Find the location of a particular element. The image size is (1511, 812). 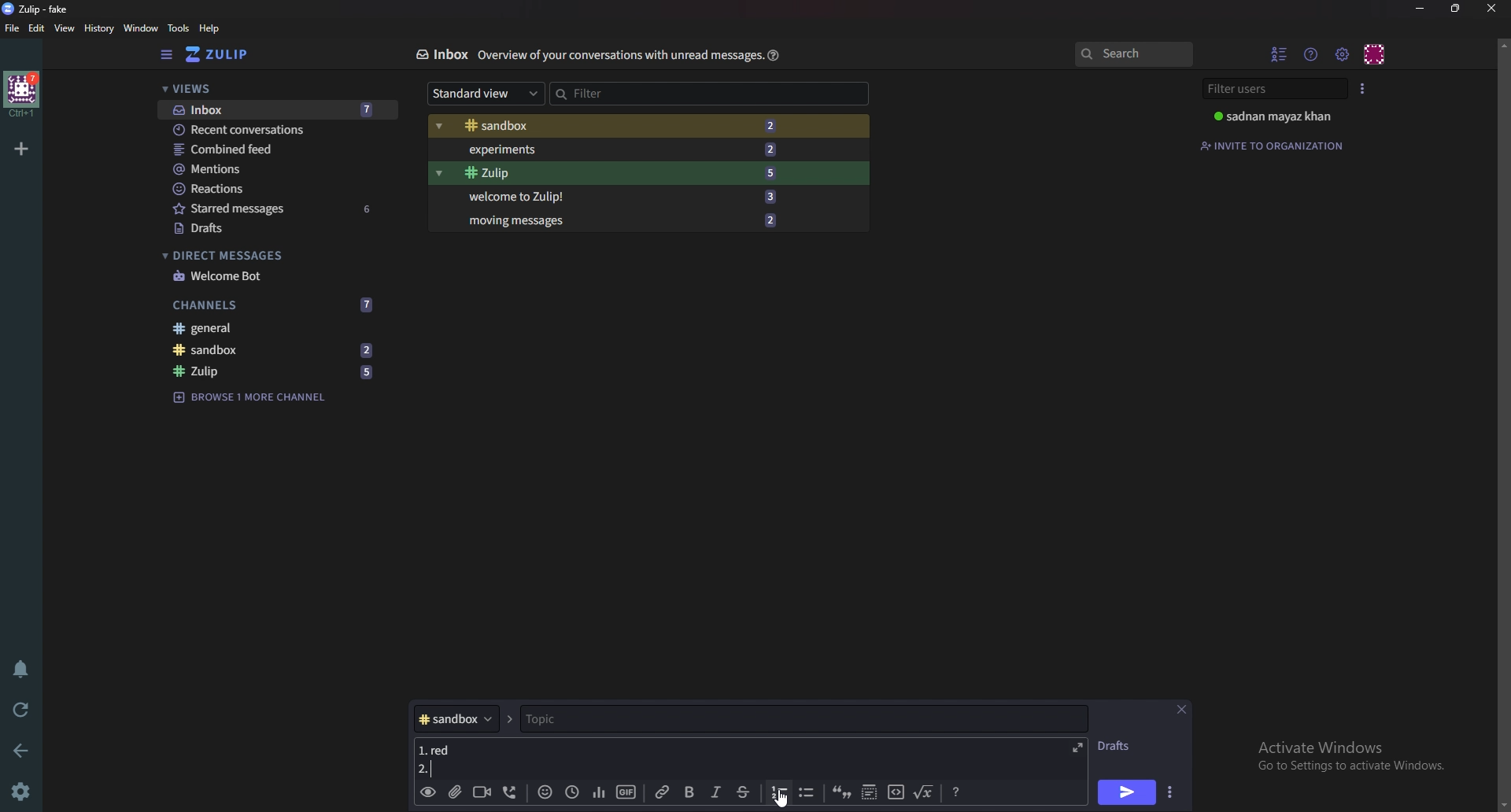

Moving messages is located at coordinates (620, 220).